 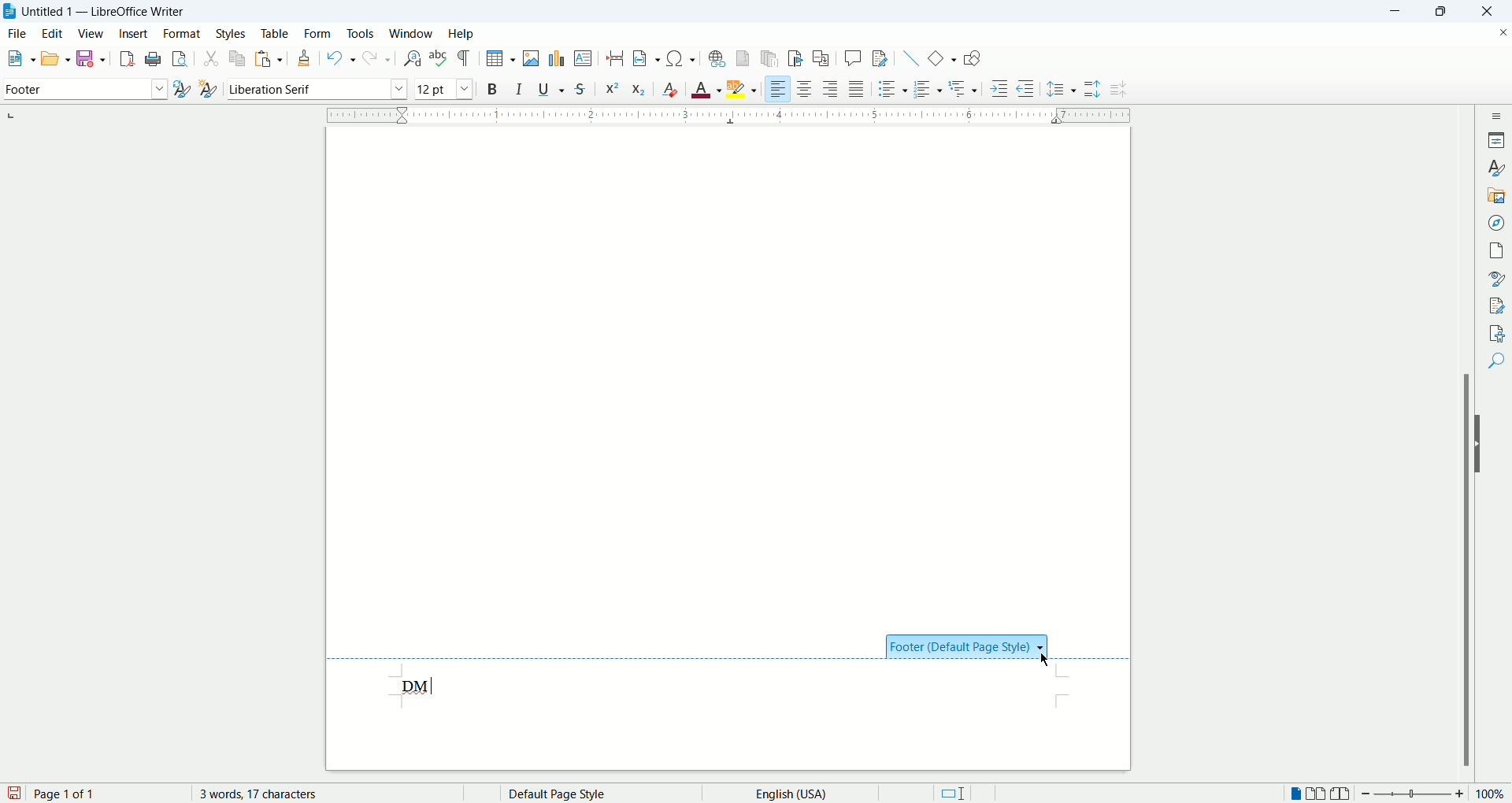 I want to click on save, so click(x=93, y=57).